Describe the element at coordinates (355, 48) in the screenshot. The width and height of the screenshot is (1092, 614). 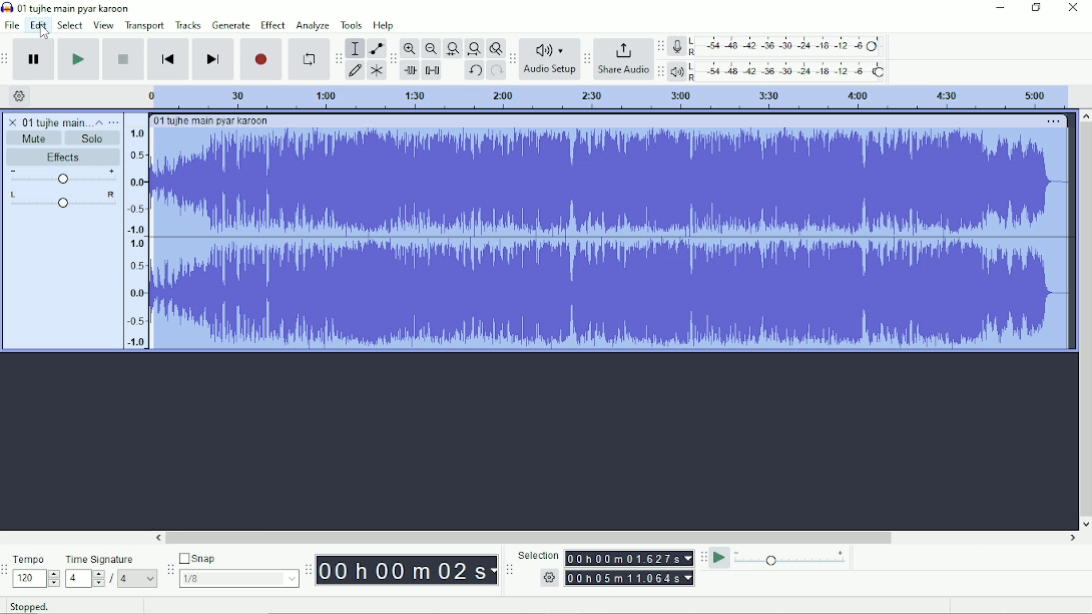
I see `Selection tool` at that location.